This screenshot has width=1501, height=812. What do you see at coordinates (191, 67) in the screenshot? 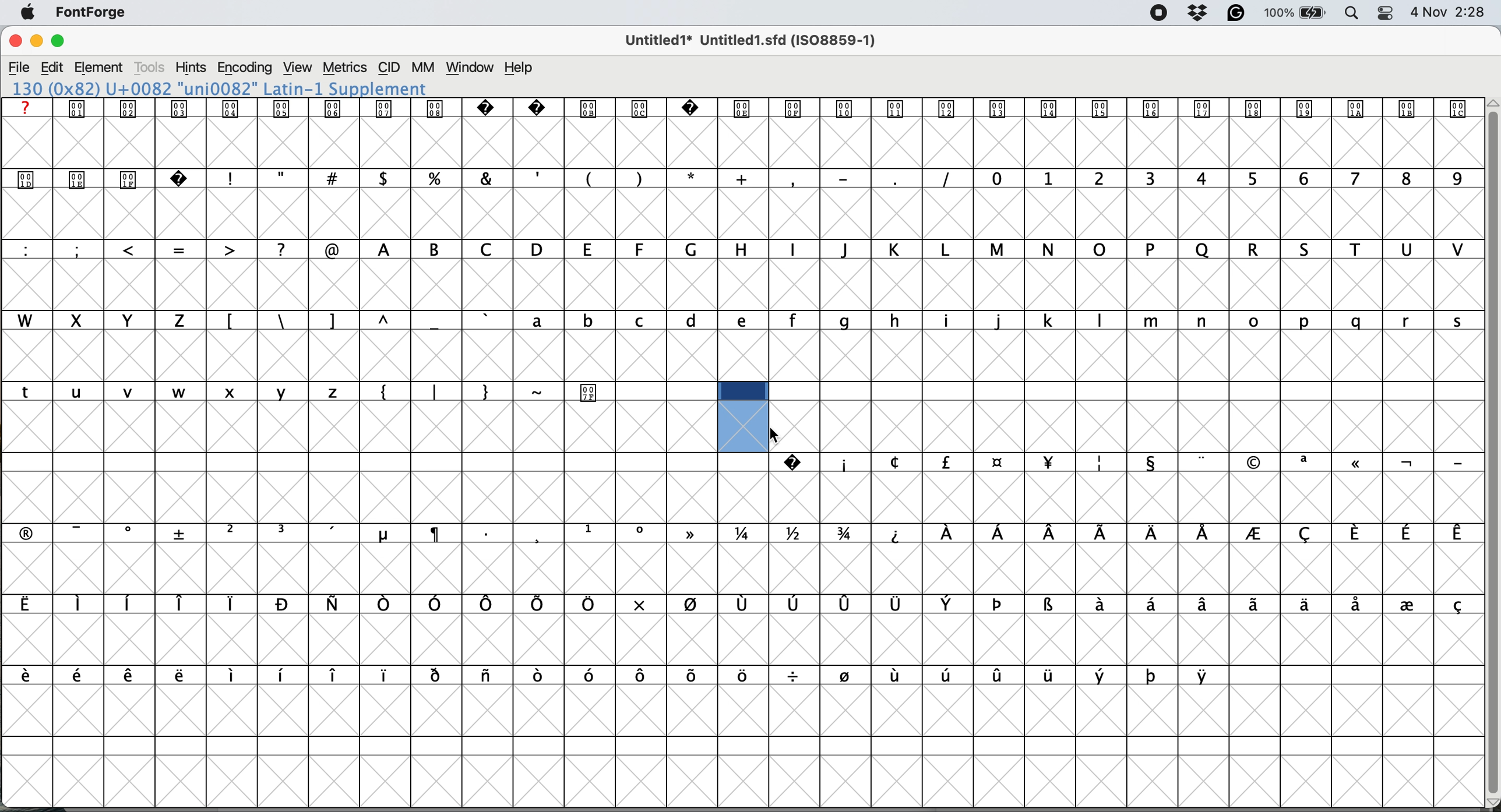
I see `hints` at bounding box center [191, 67].